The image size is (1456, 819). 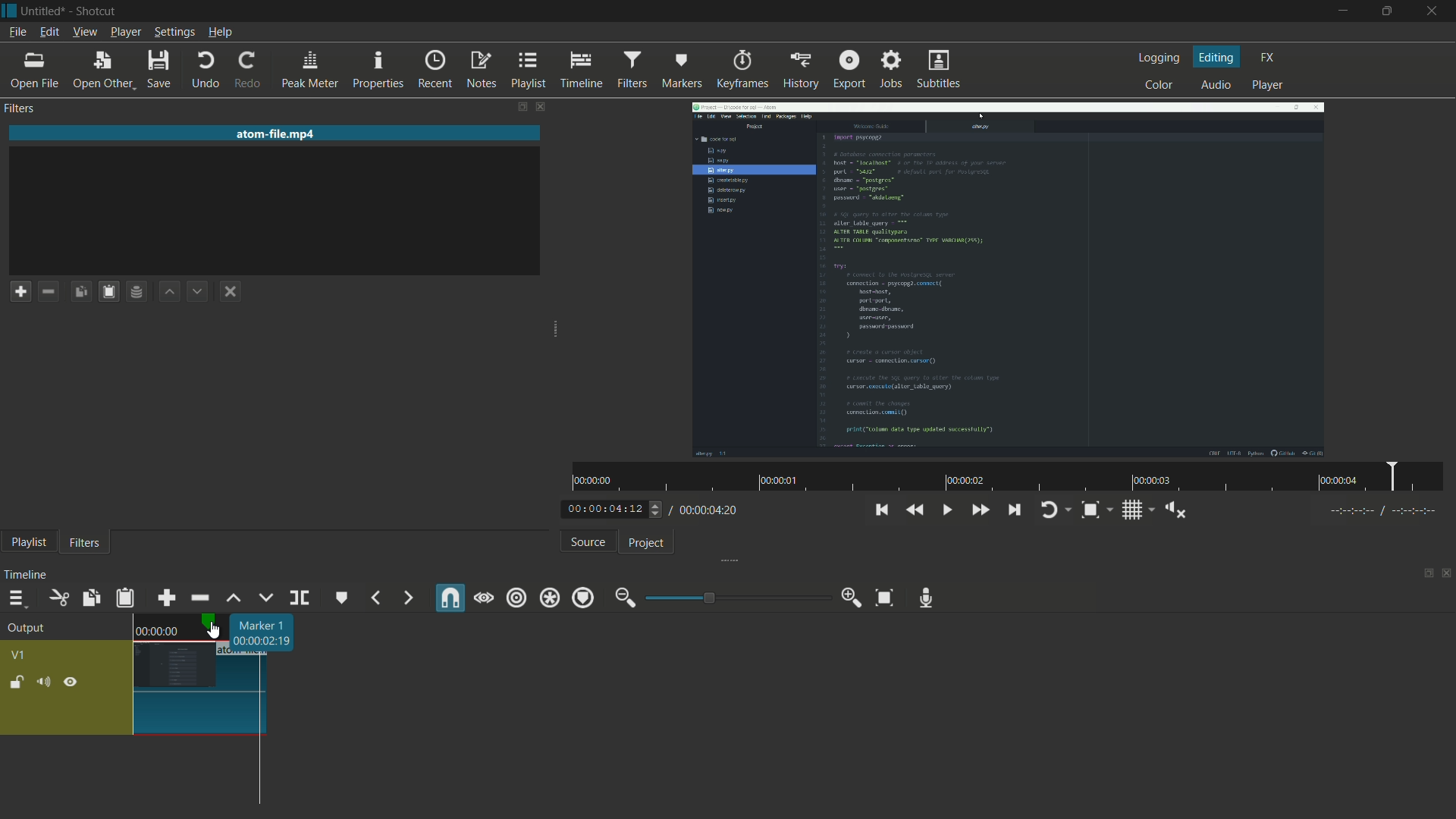 What do you see at coordinates (884, 510) in the screenshot?
I see `skip to the previous point` at bounding box center [884, 510].